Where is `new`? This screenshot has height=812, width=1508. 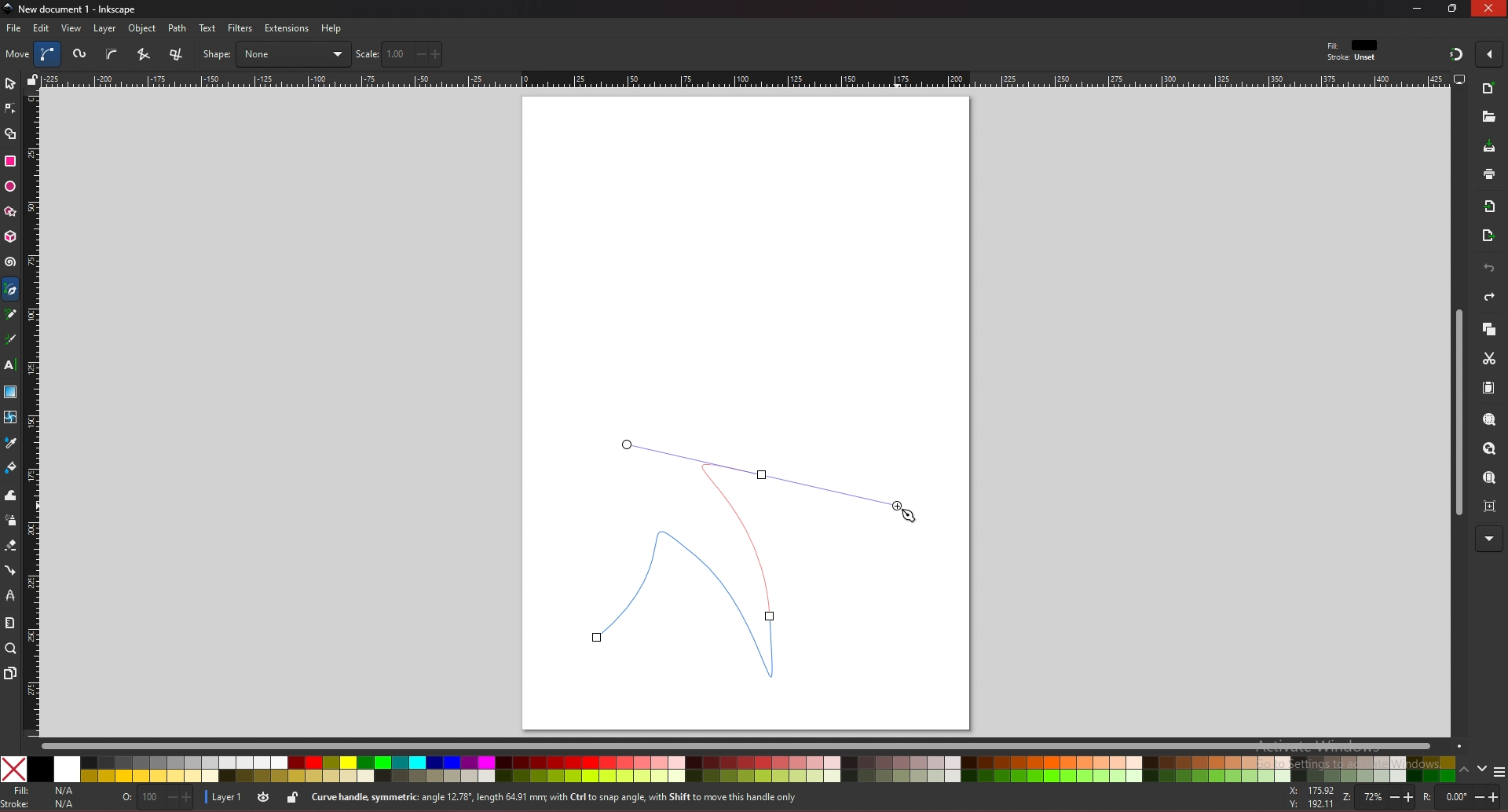
new is located at coordinates (1488, 117).